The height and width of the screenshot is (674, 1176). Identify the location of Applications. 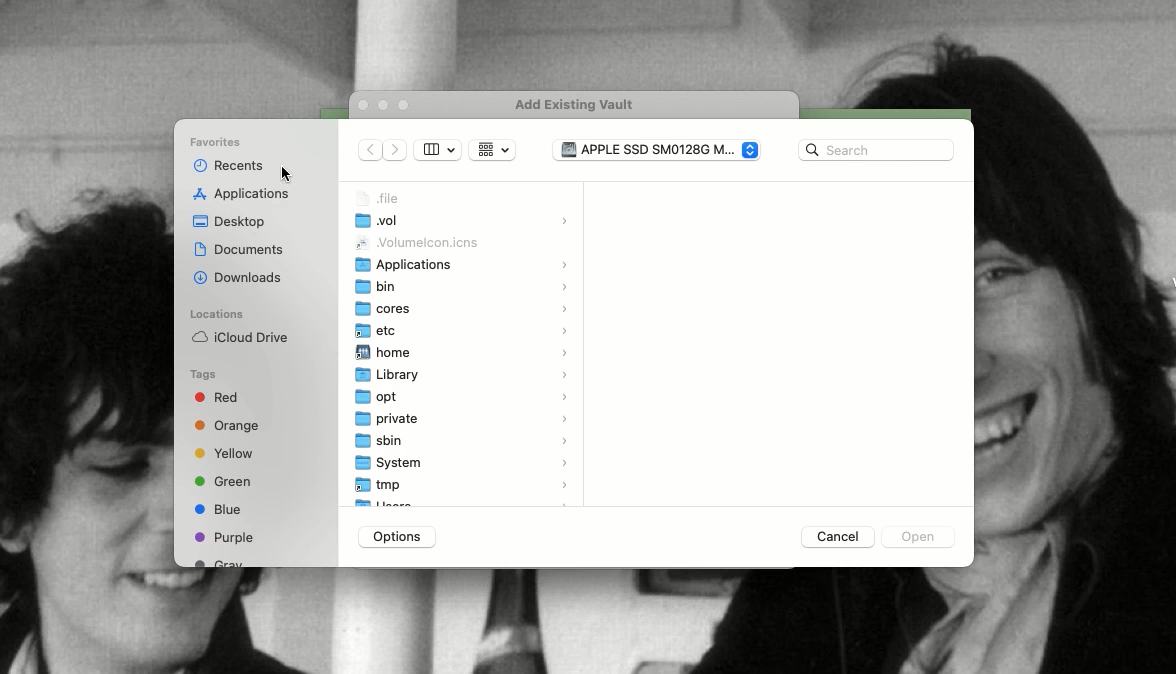
(245, 195).